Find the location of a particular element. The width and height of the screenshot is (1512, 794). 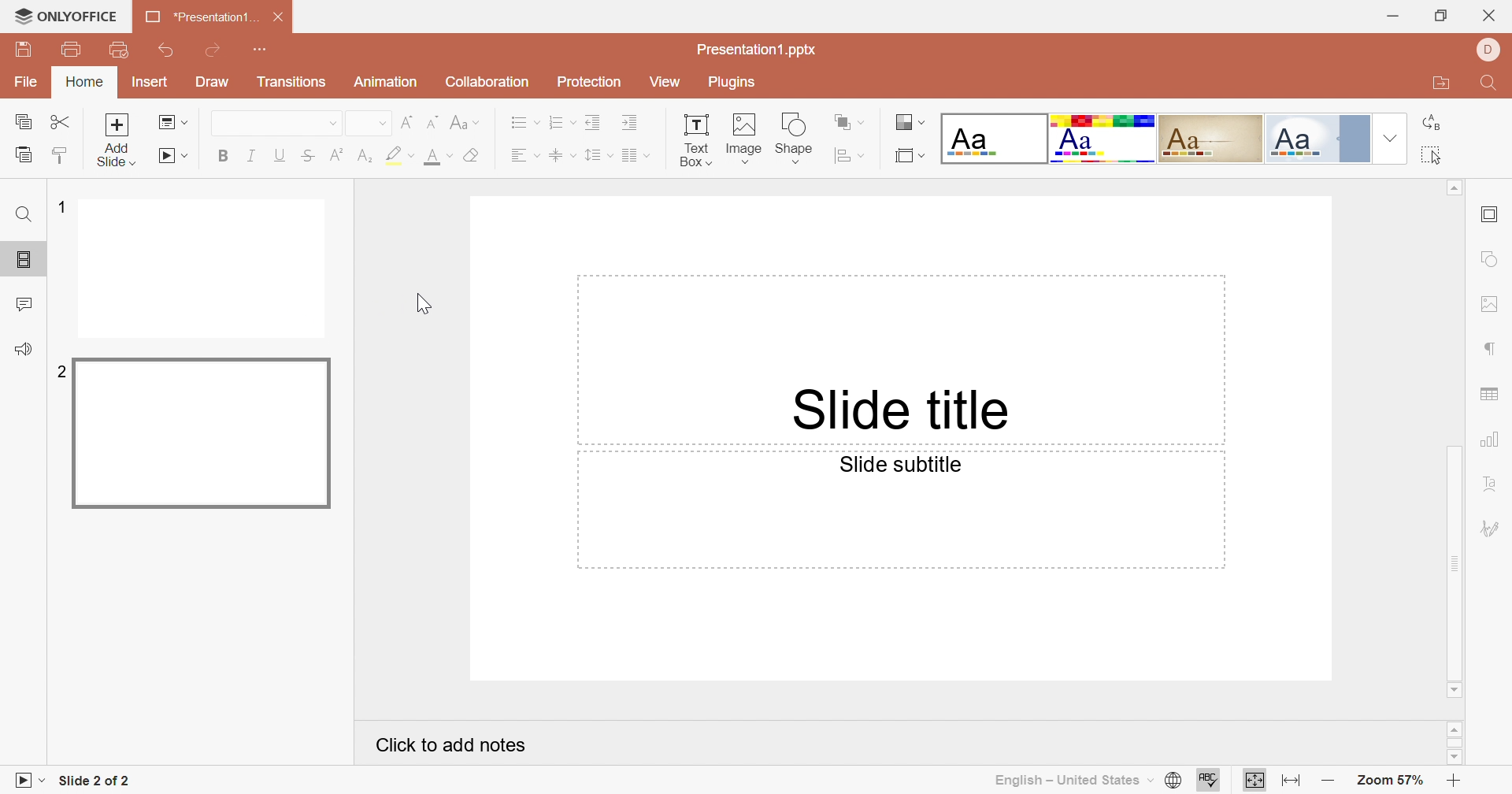

Slideshow is located at coordinates (22, 781).